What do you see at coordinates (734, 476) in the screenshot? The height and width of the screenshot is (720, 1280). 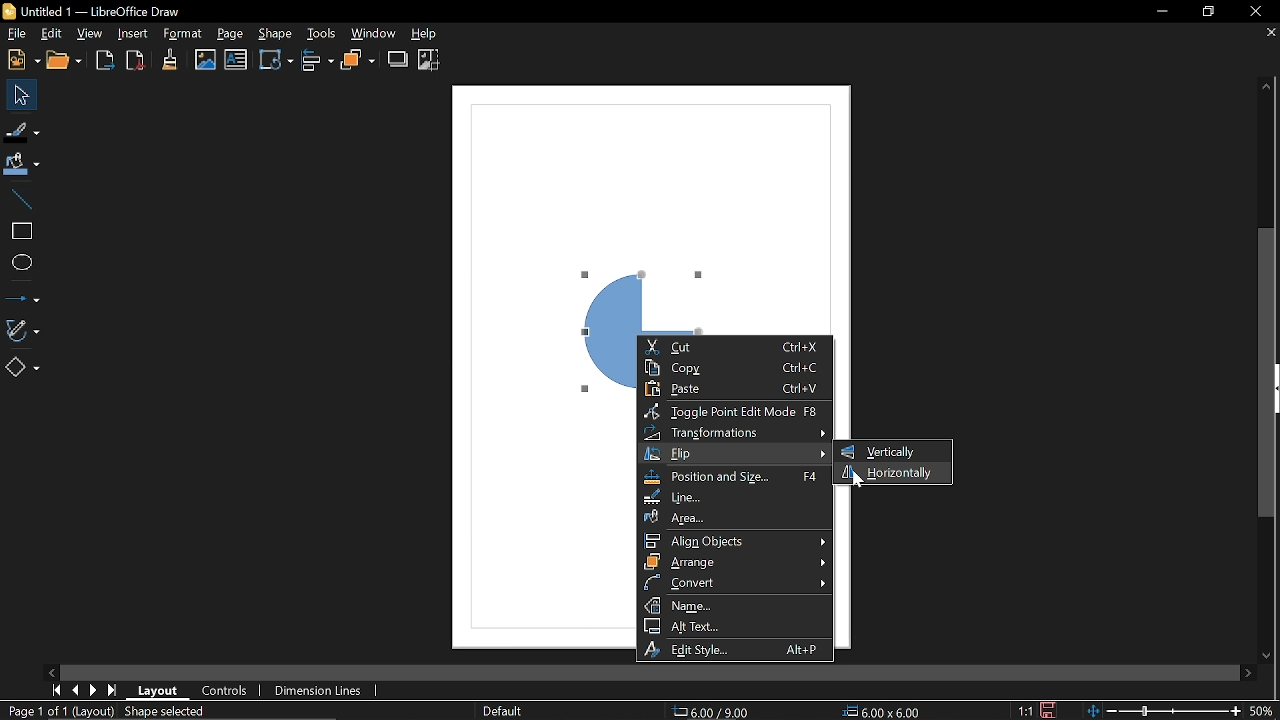 I see `position and size` at bounding box center [734, 476].